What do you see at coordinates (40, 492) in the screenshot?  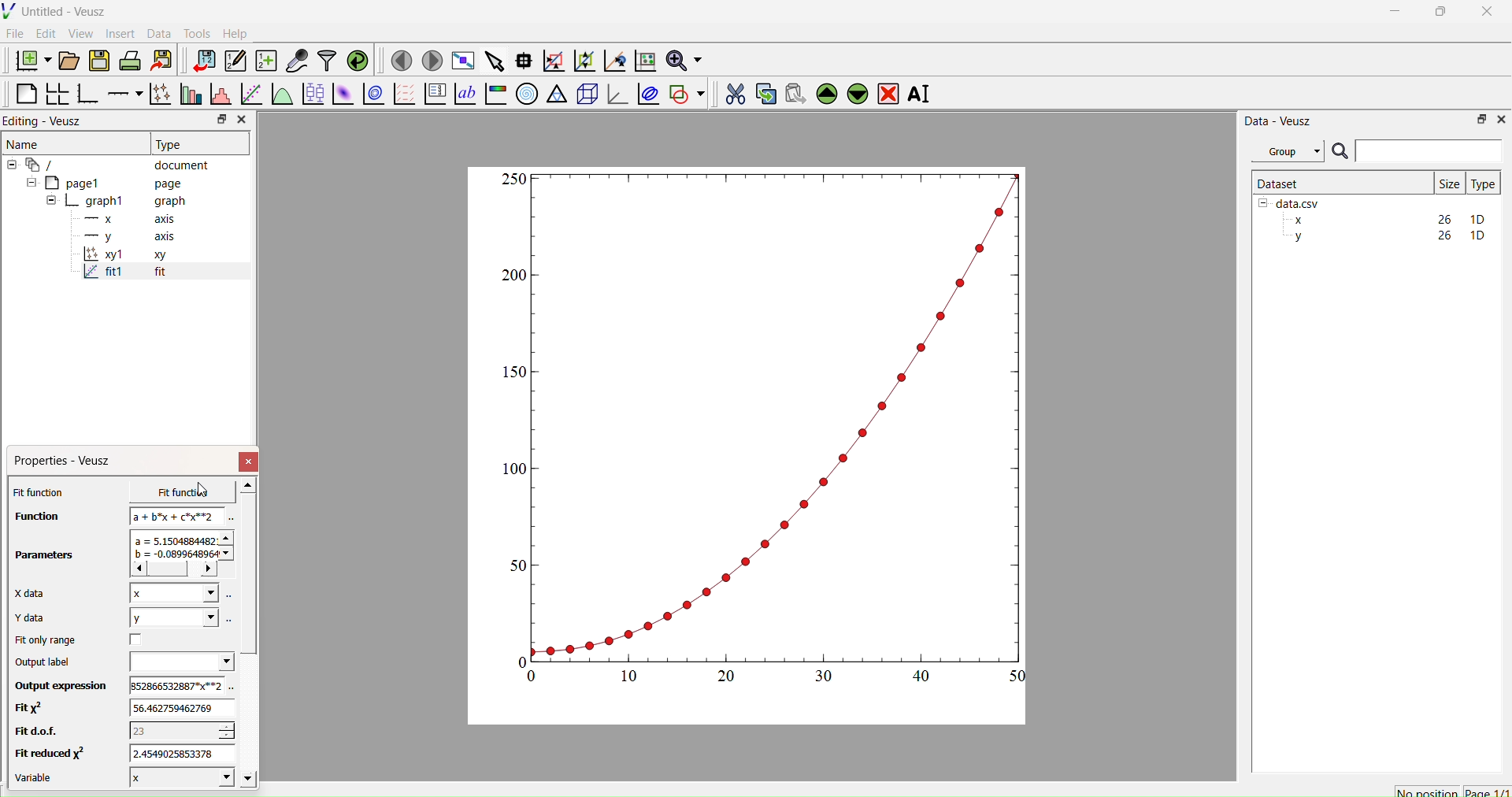 I see `Fit function` at bounding box center [40, 492].